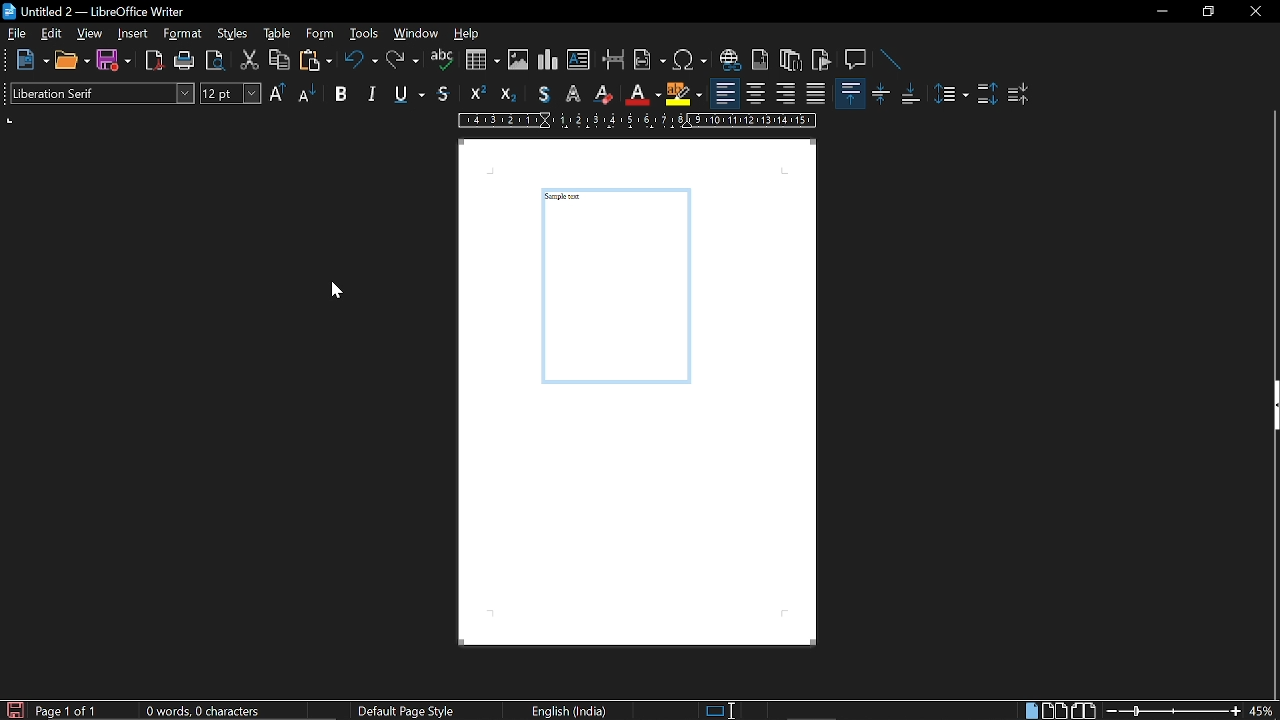 This screenshot has height=720, width=1280. I want to click on font color, so click(640, 95).